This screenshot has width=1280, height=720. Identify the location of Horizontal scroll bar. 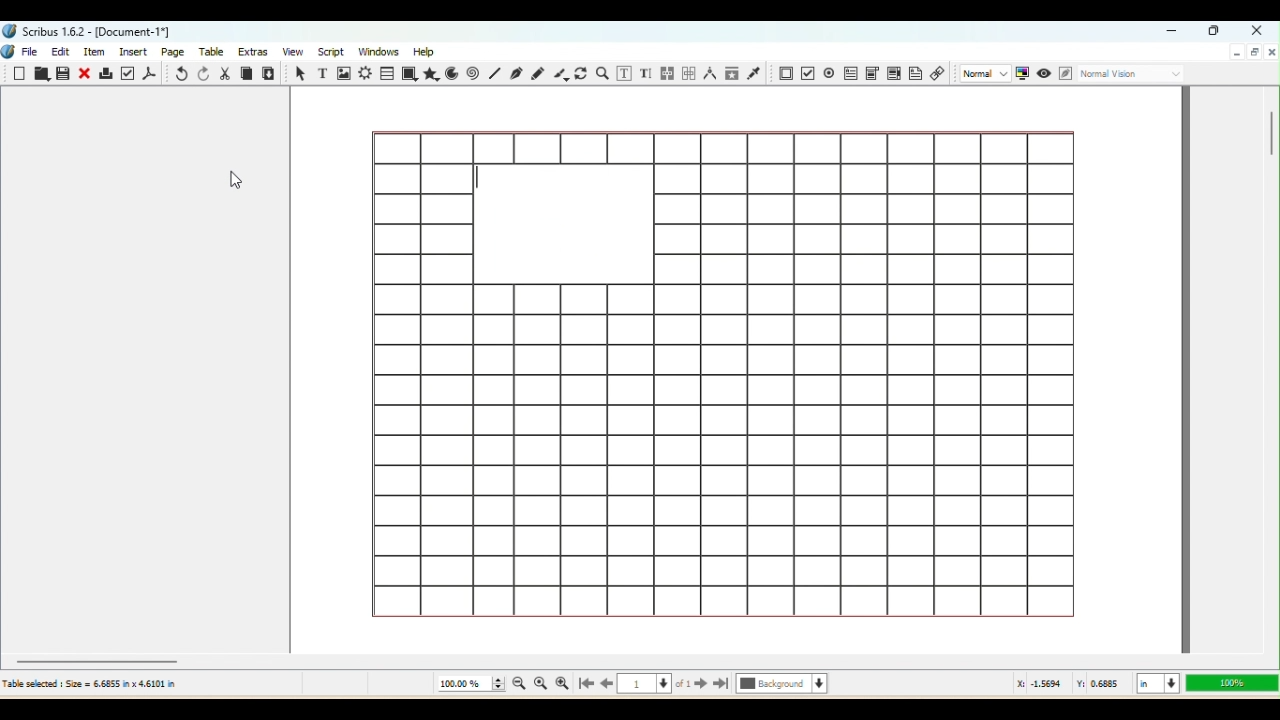
(639, 660).